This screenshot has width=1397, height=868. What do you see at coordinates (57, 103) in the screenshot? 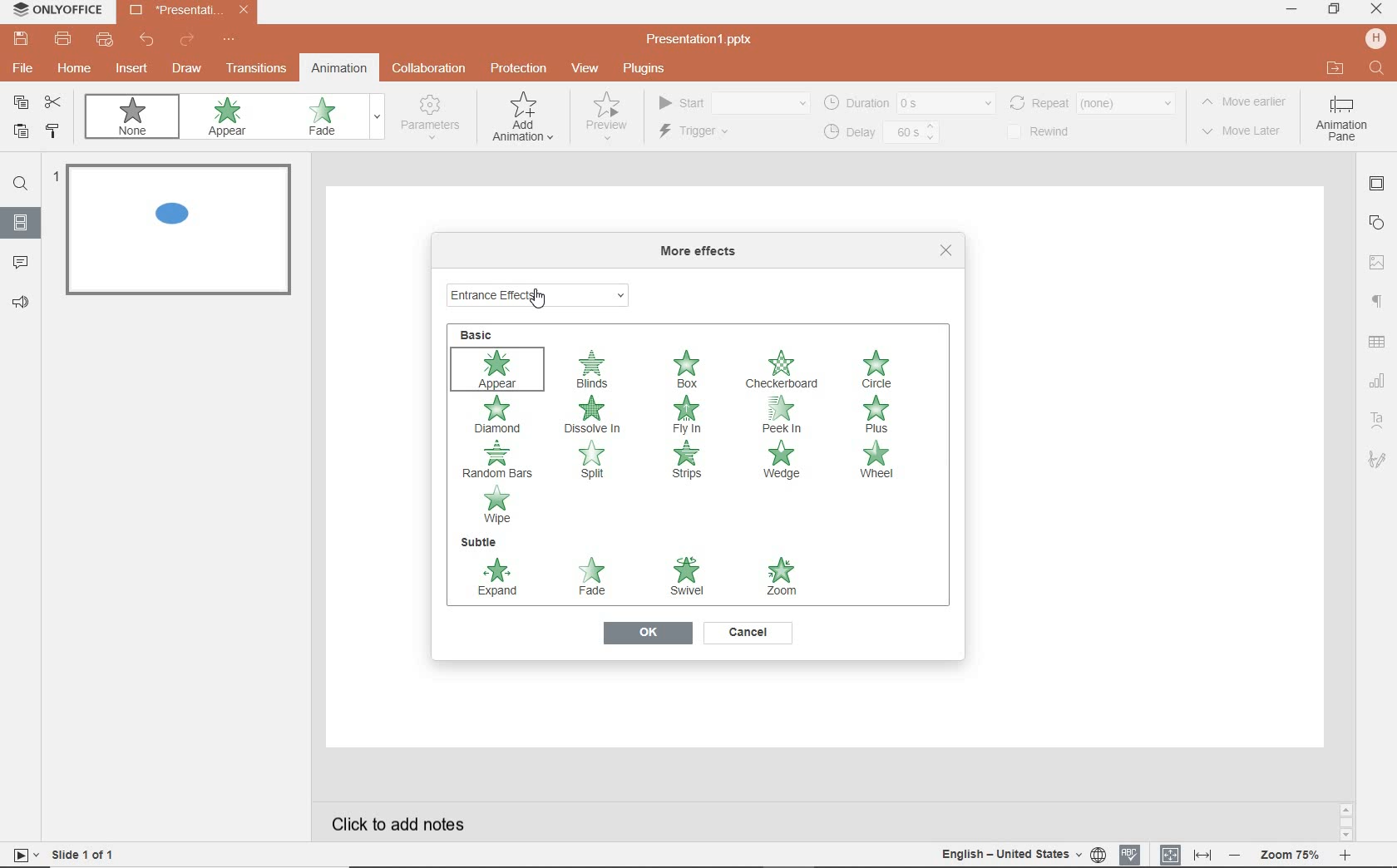
I see `cut` at bounding box center [57, 103].